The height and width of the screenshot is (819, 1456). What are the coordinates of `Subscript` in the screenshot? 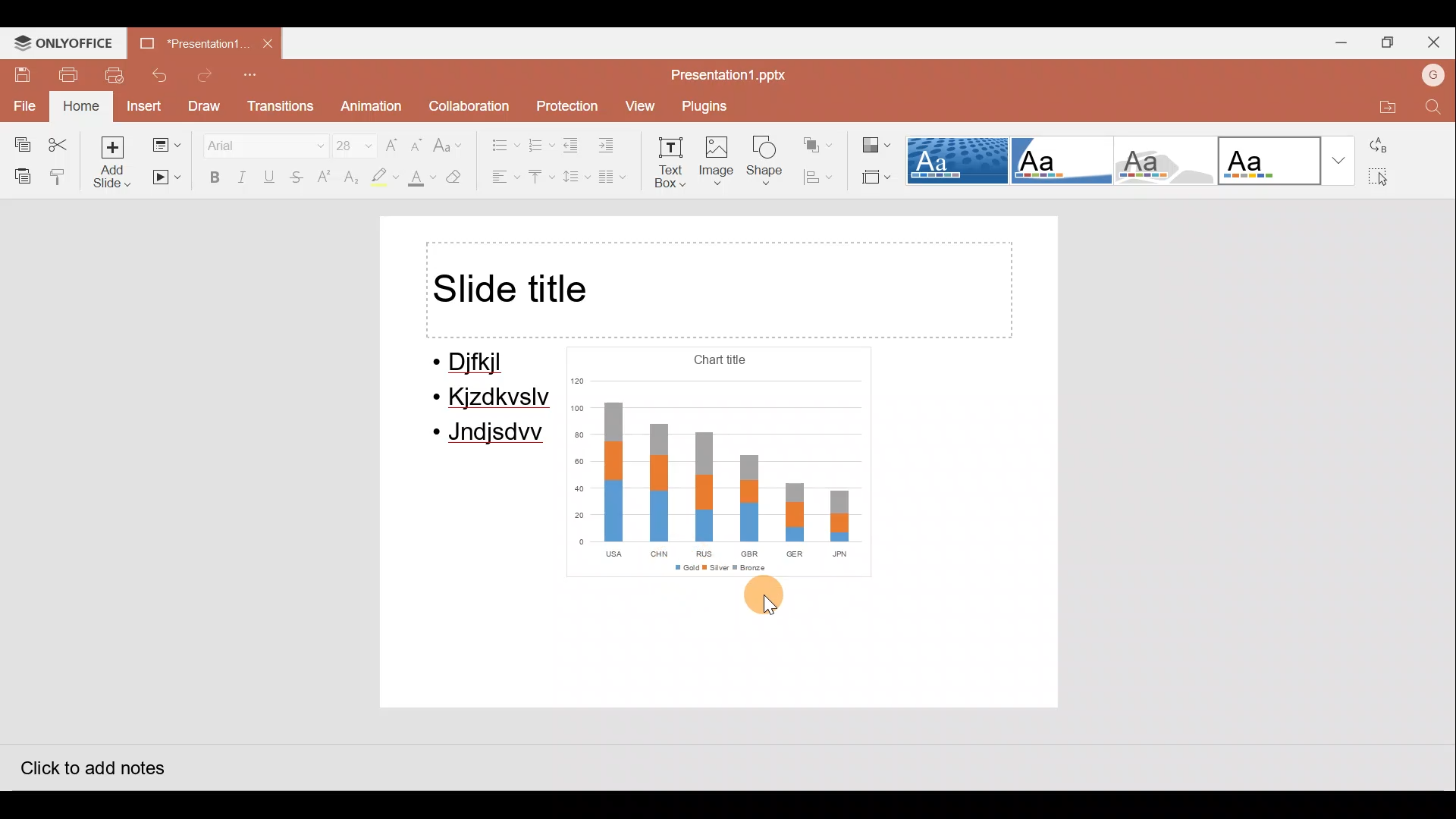 It's located at (349, 179).